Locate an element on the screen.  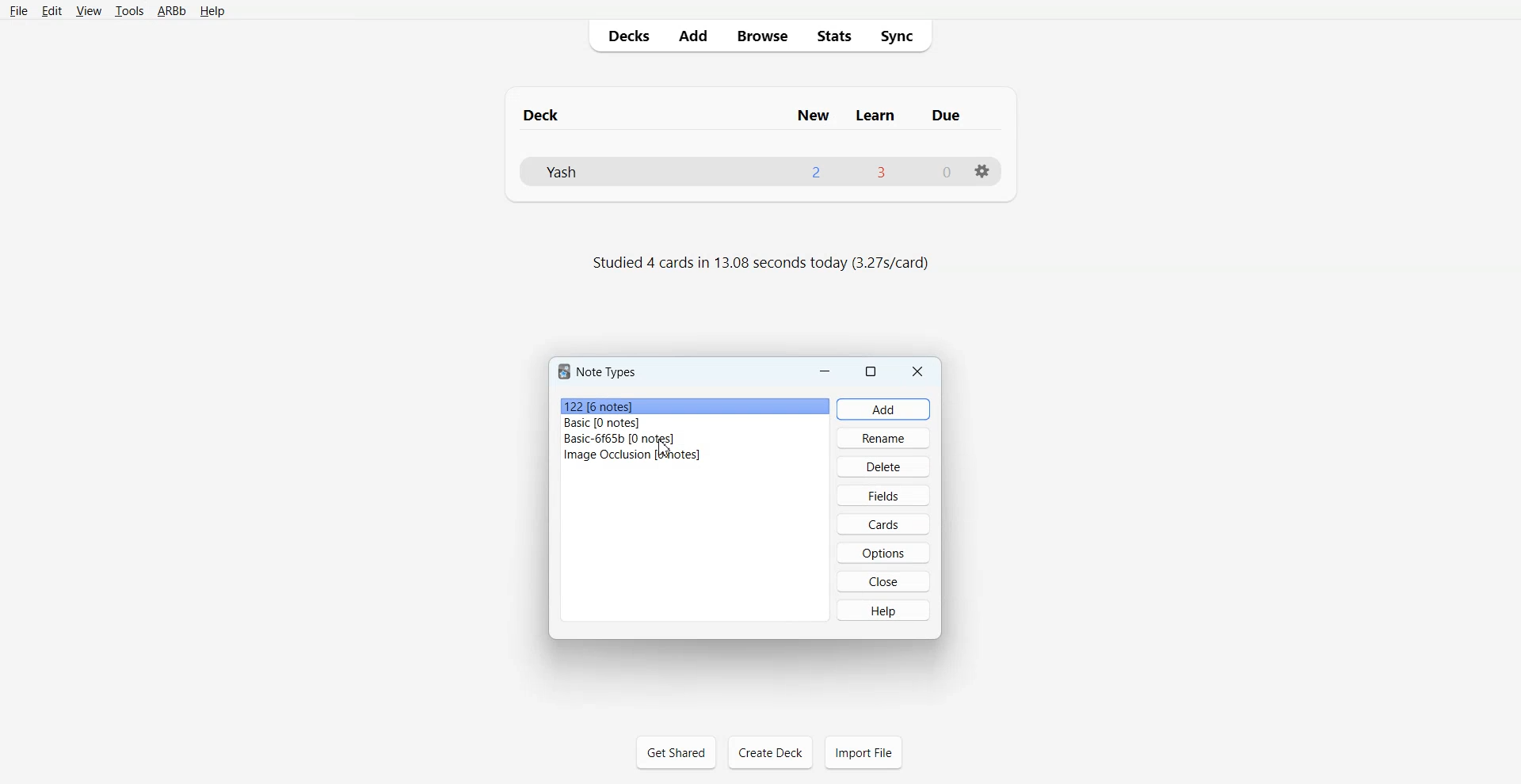
Rename is located at coordinates (885, 437).